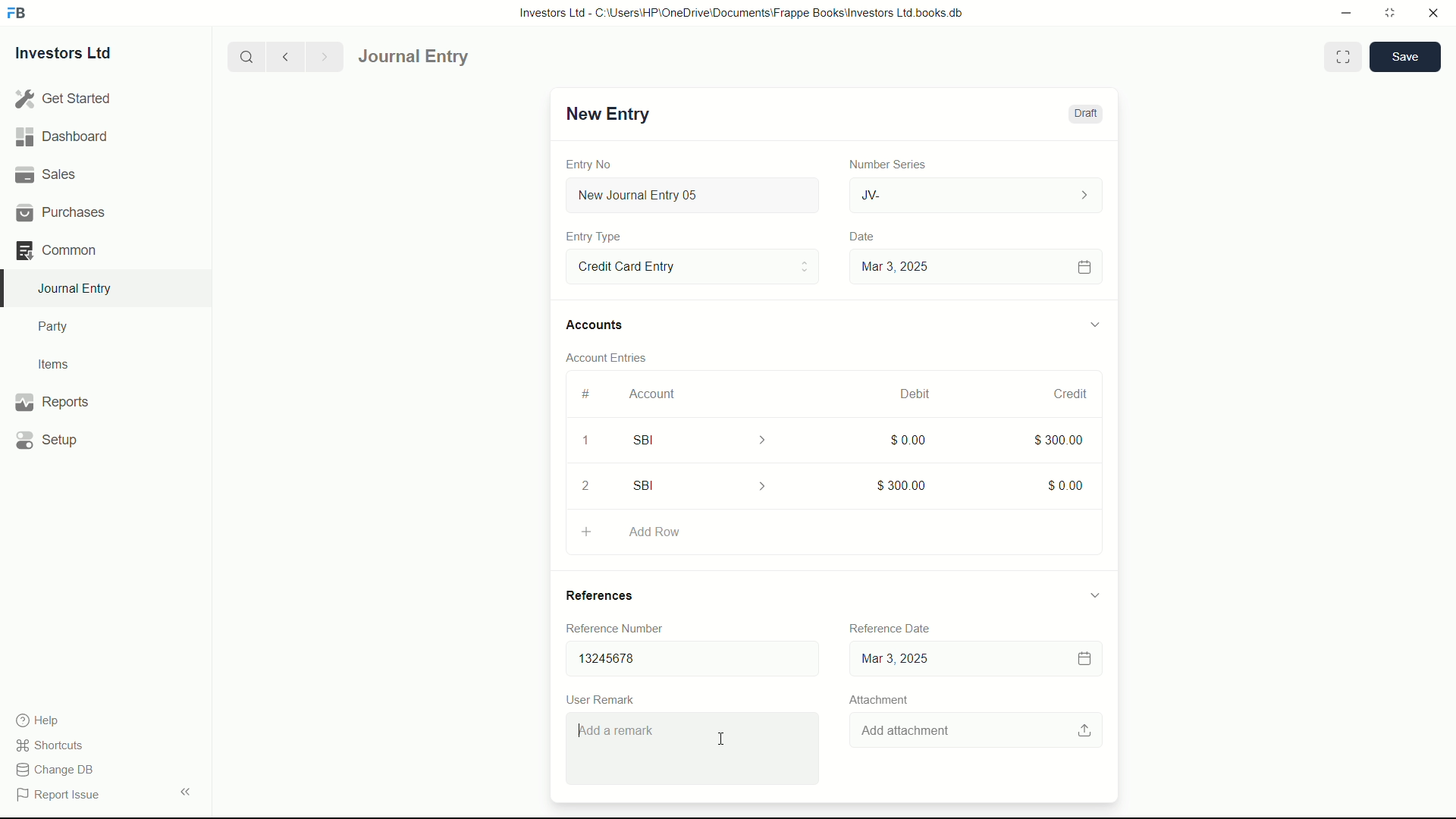 This screenshot has width=1456, height=819. I want to click on Investors Ltd, so click(77, 55).